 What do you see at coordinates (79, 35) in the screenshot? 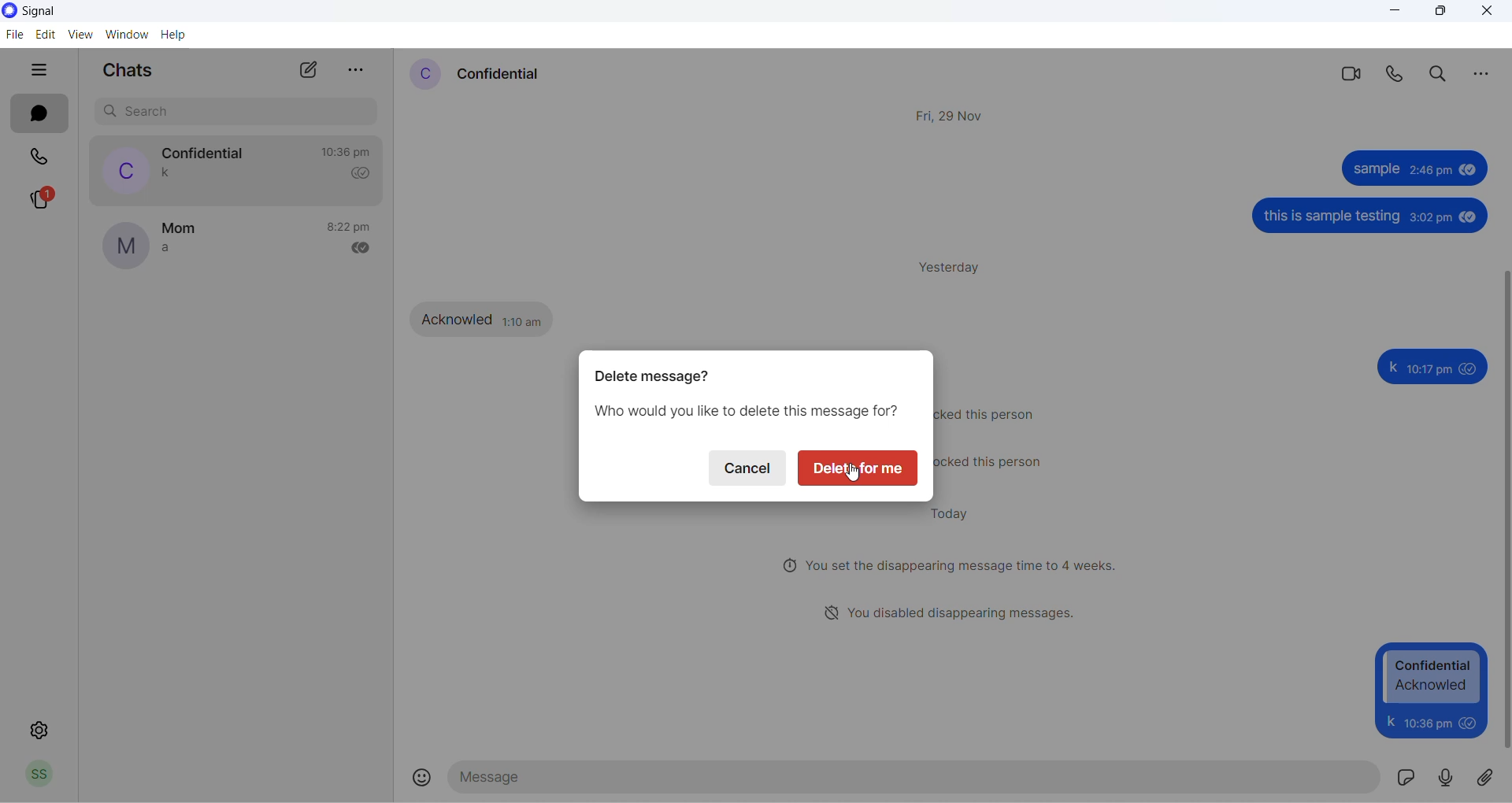
I see `view` at bounding box center [79, 35].